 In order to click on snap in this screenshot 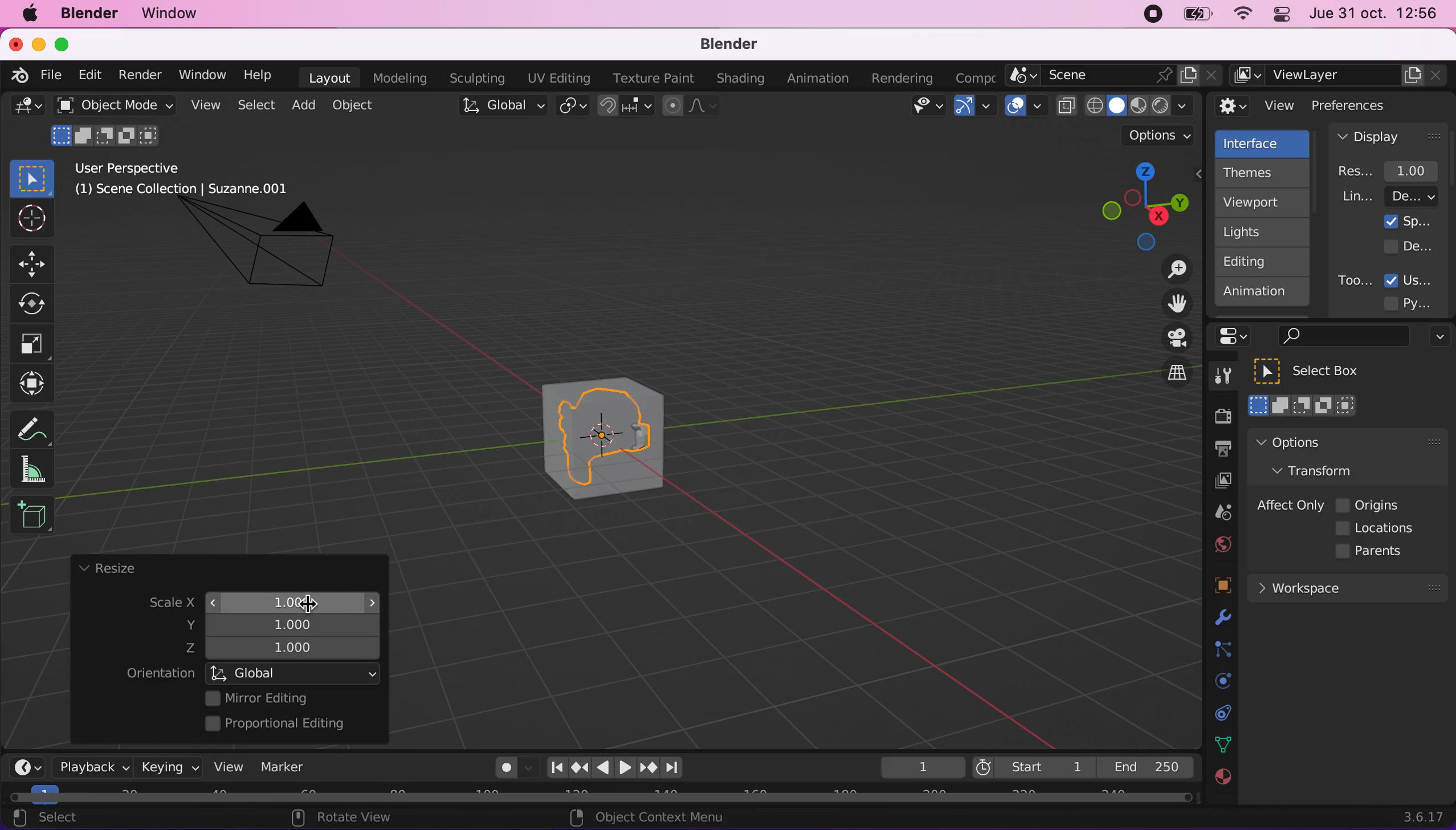, I will do `click(627, 106)`.